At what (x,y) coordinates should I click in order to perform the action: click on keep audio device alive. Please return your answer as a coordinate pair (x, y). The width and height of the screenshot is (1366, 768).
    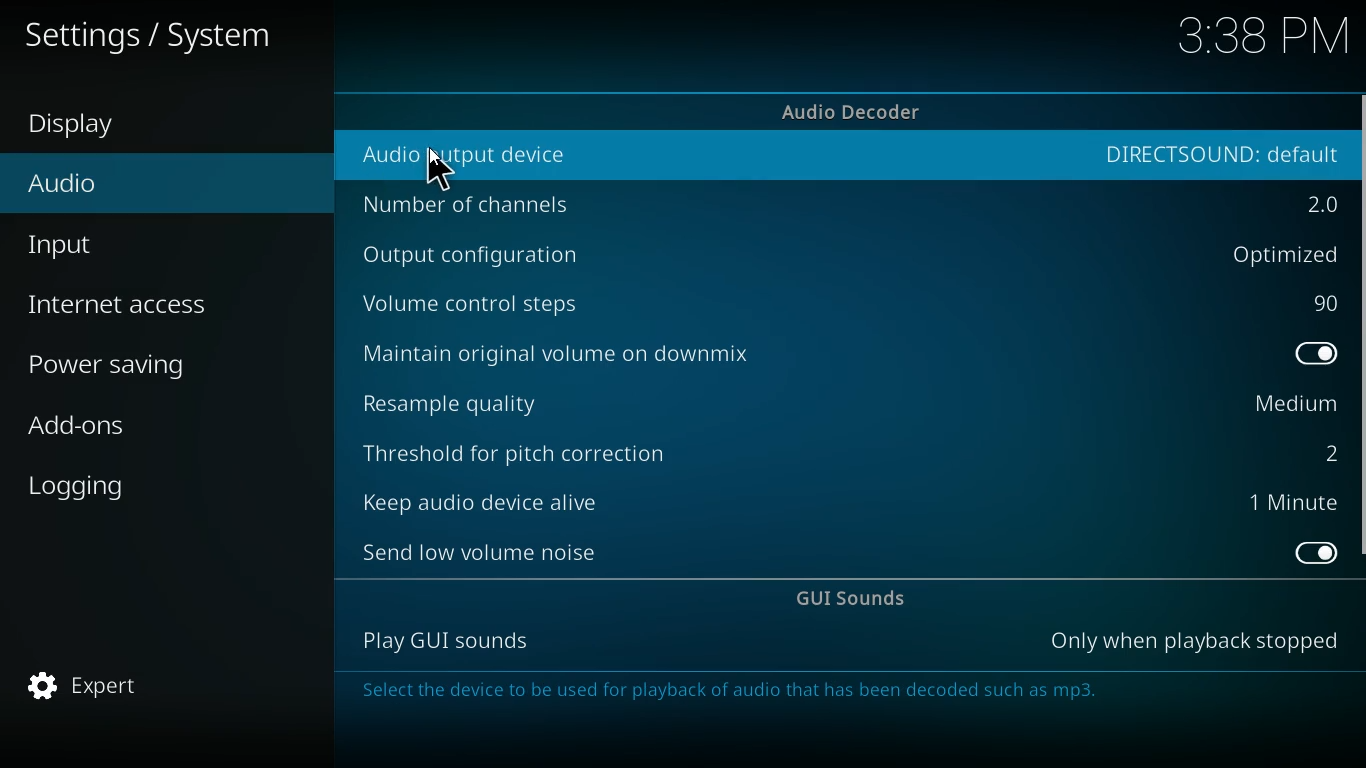
    Looking at the image, I should click on (480, 496).